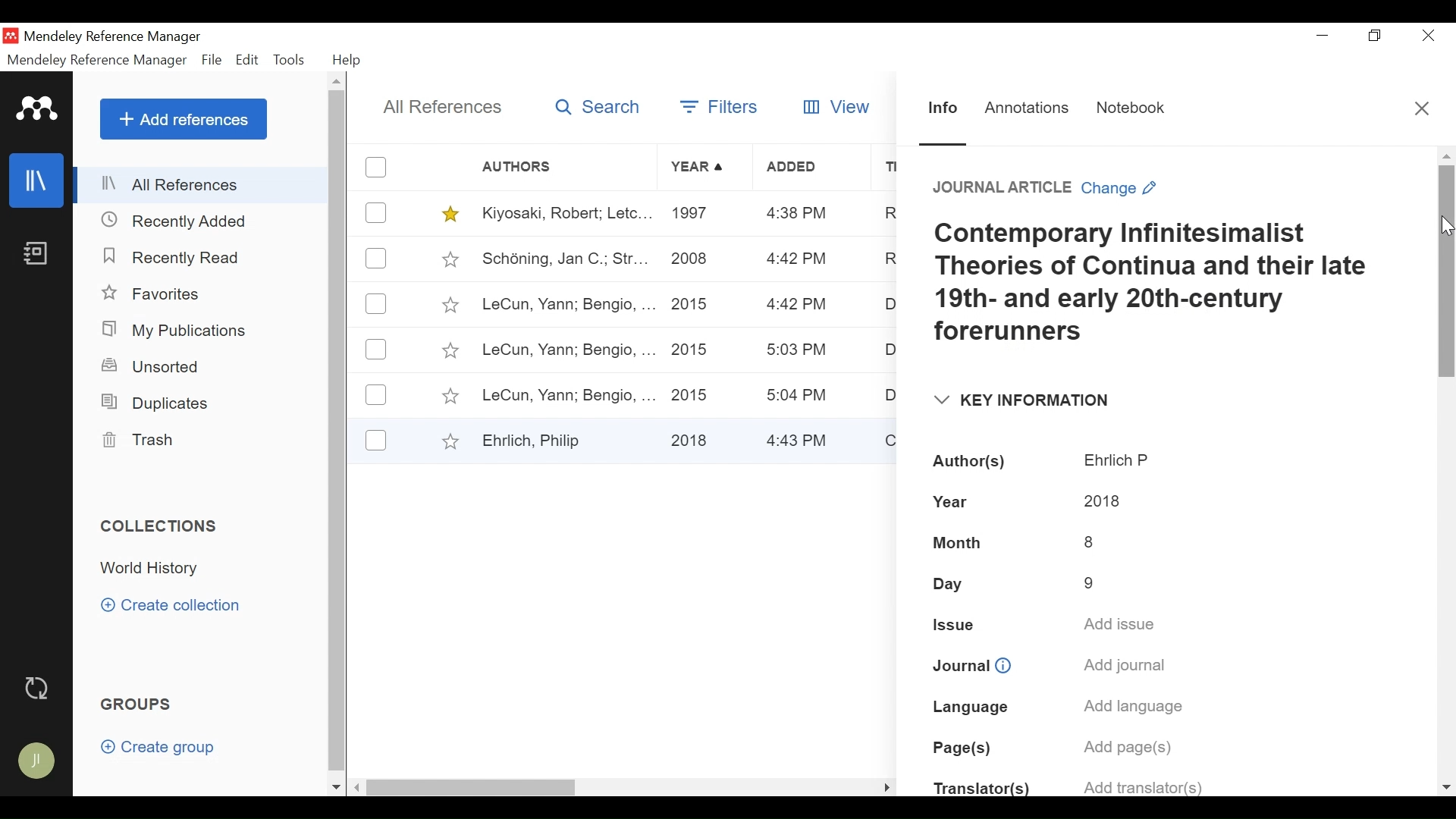 Image resolution: width=1456 pixels, height=819 pixels. I want to click on Mendeley Desktop Icon, so click(11, 36).